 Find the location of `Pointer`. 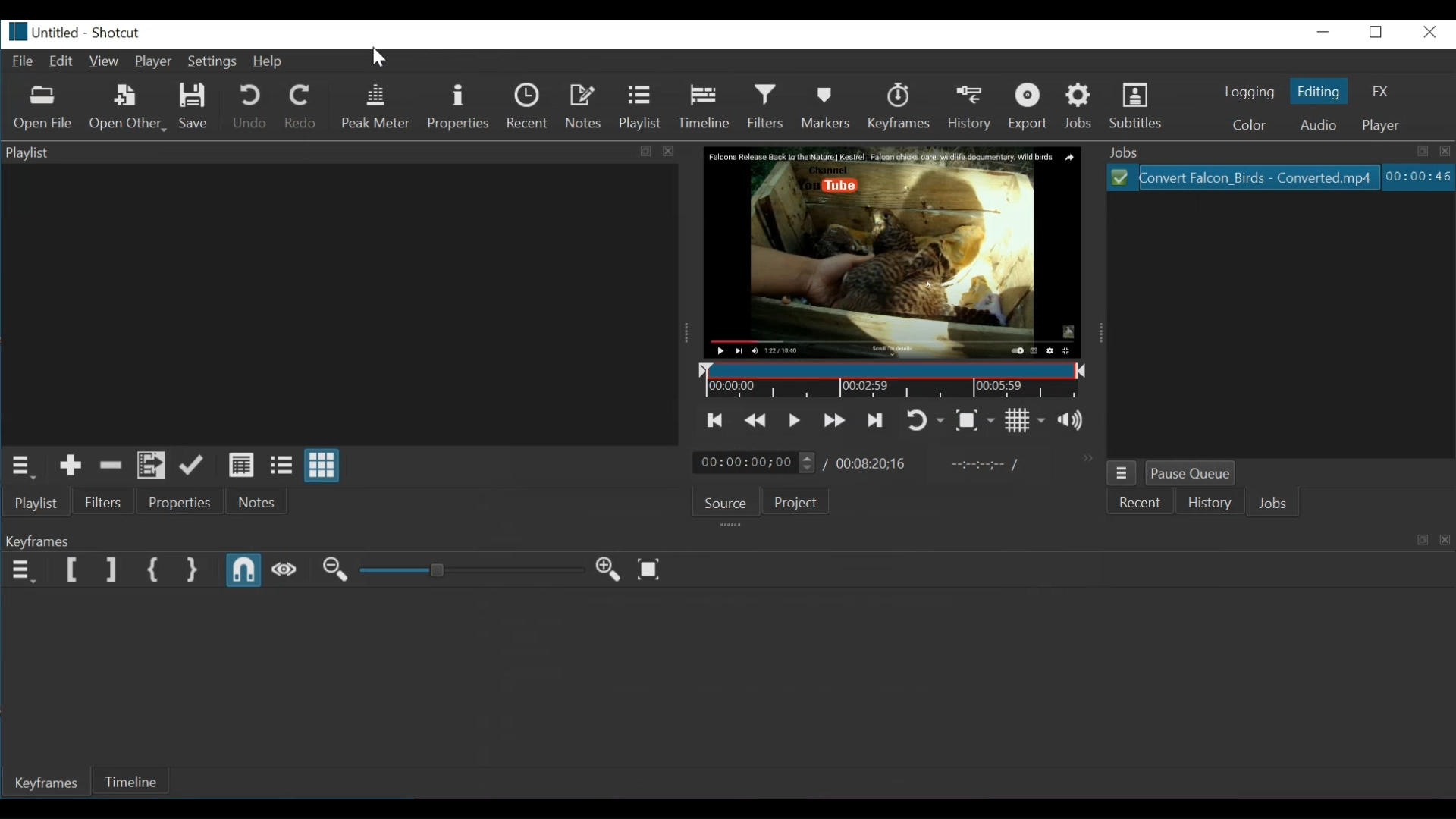

Pointer is located at coordinates (377, 60).